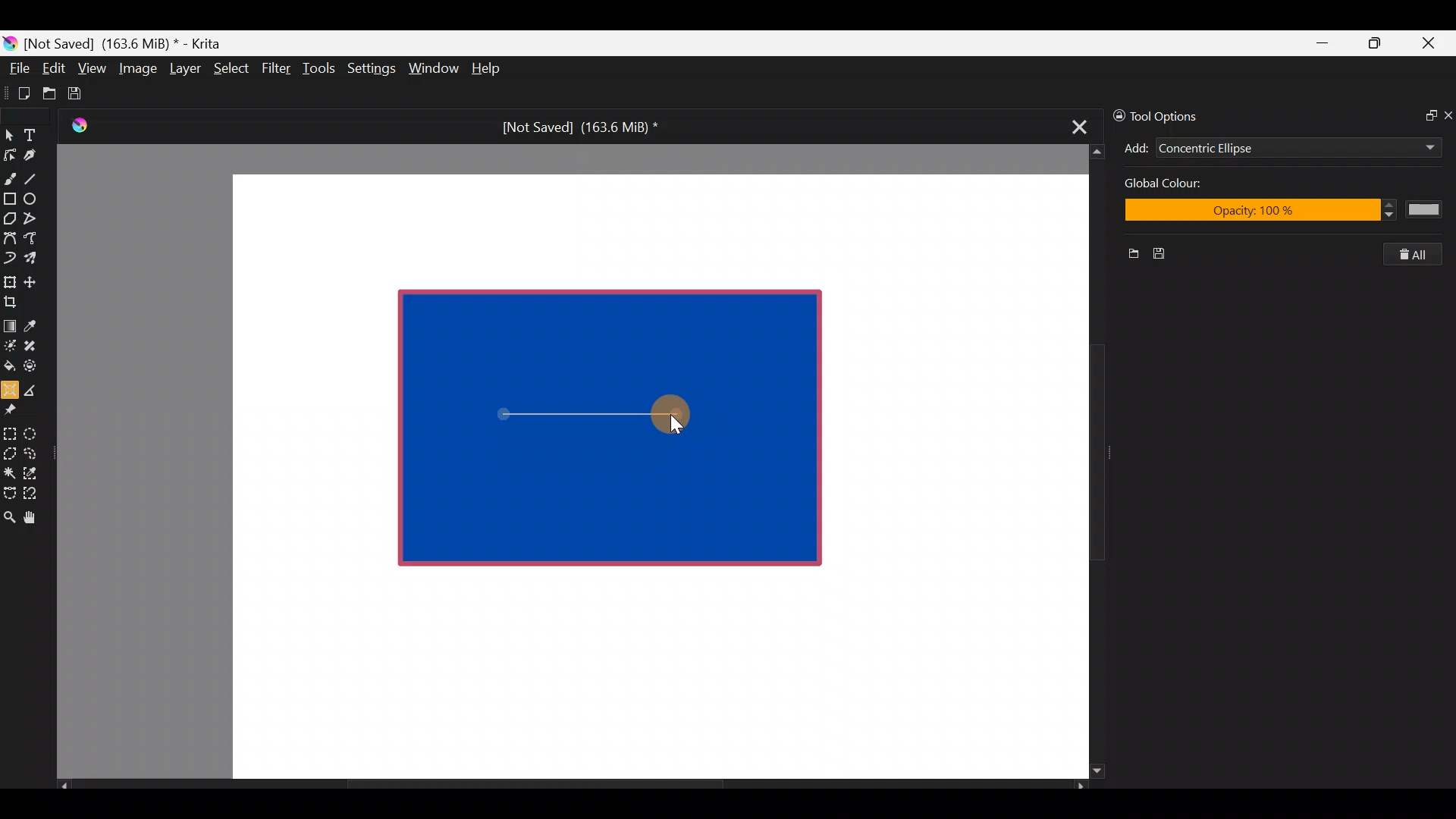  What do you see at coordinates (678, 417) in the screenshot?
I see `Cursor` at bounding box center [678, 417].